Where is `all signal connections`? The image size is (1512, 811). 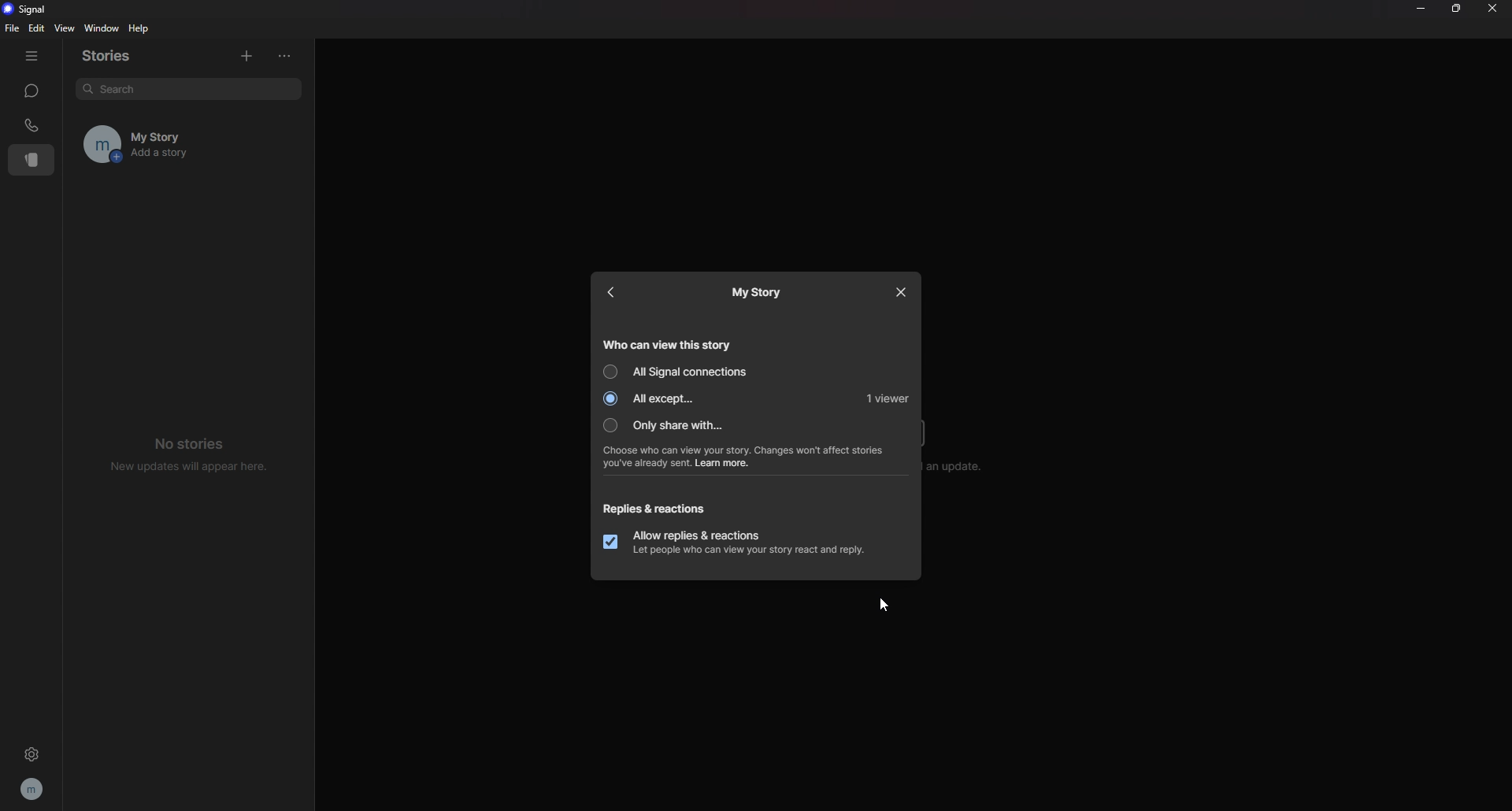 all signal connections is located at coordinates (676, 372).